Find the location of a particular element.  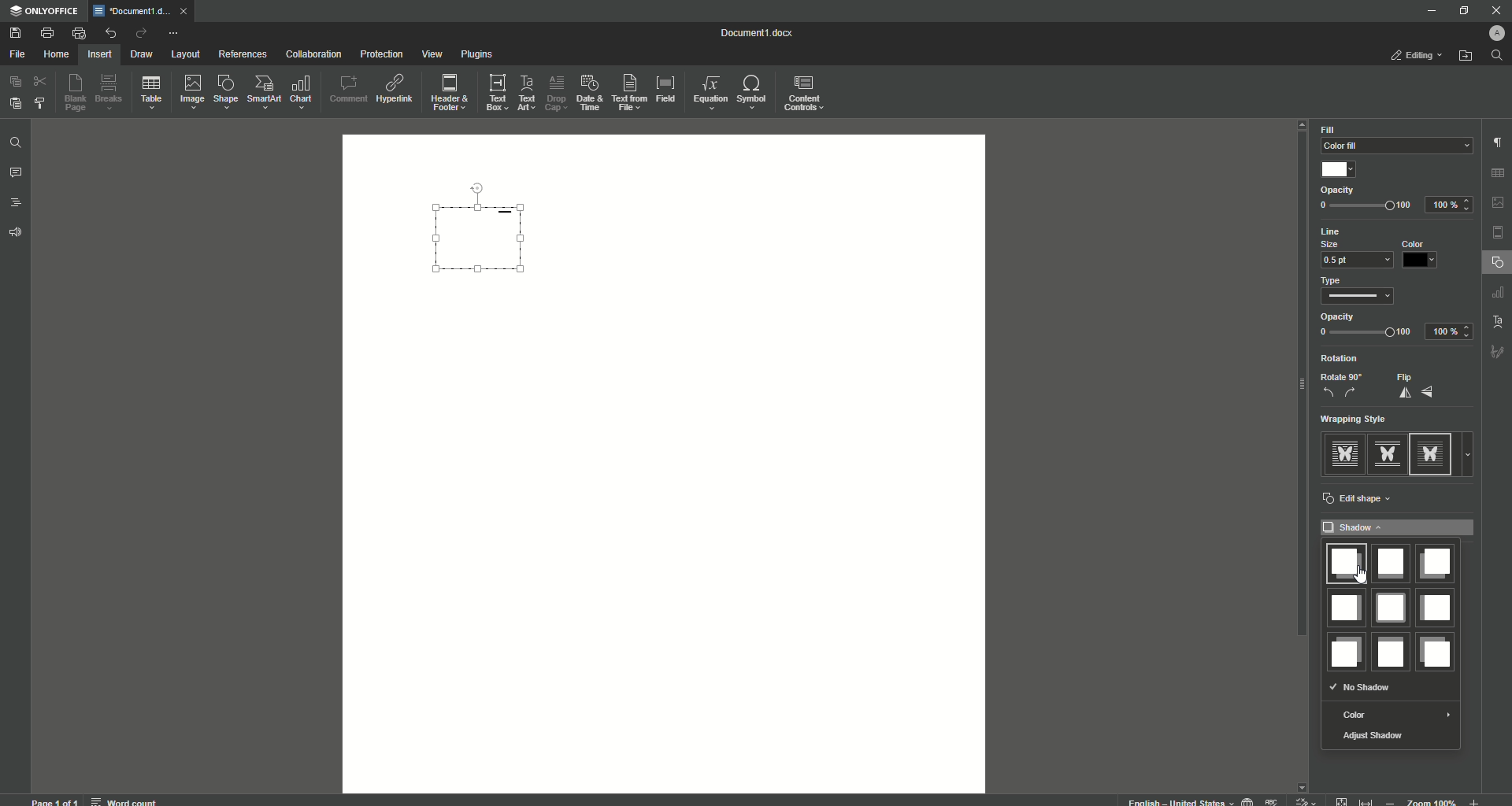

set document language is located at coordinates (1247, 800).